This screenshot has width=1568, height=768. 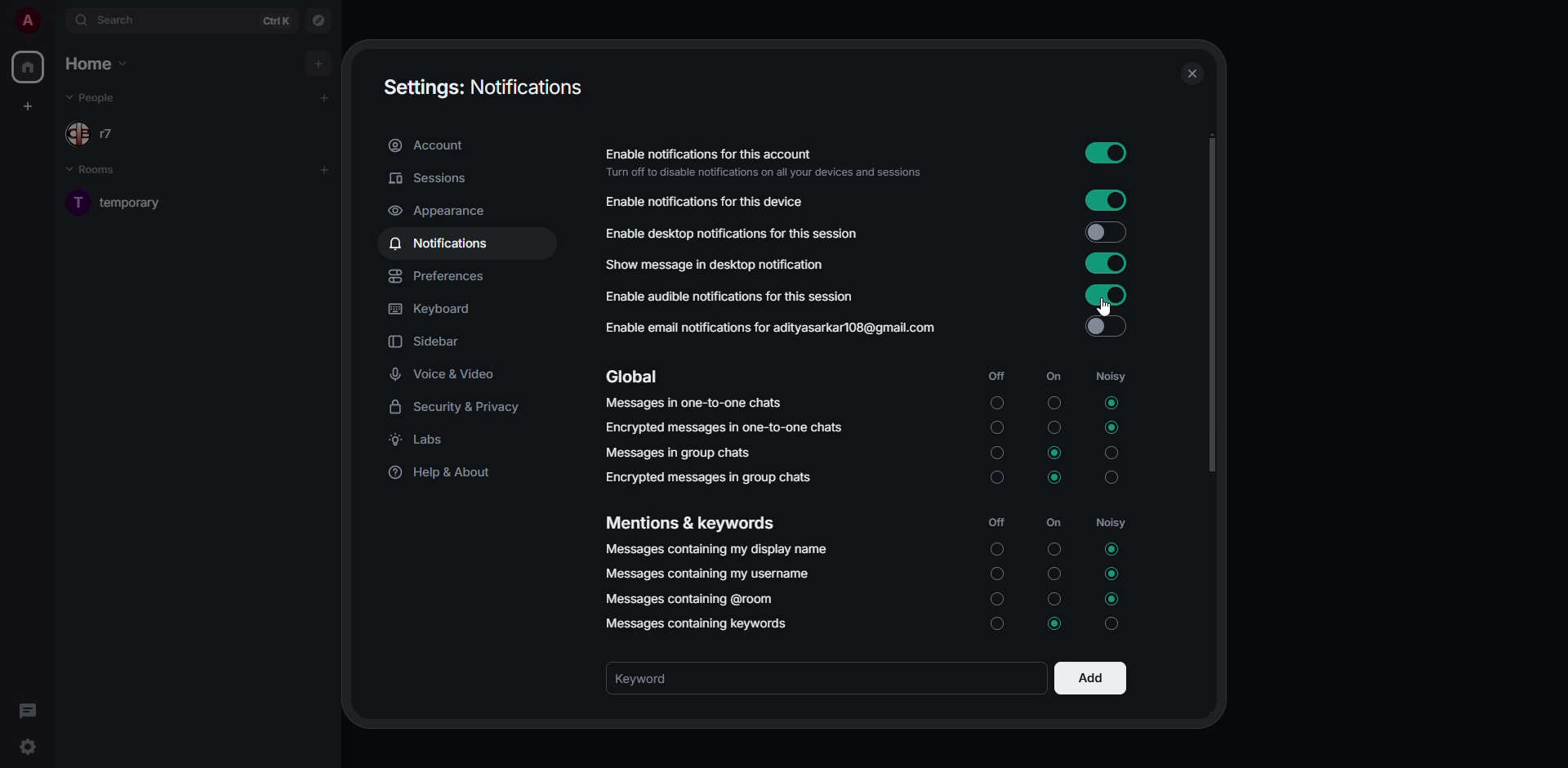 I want to click on On Unselected, so click(x=1053, y=403).